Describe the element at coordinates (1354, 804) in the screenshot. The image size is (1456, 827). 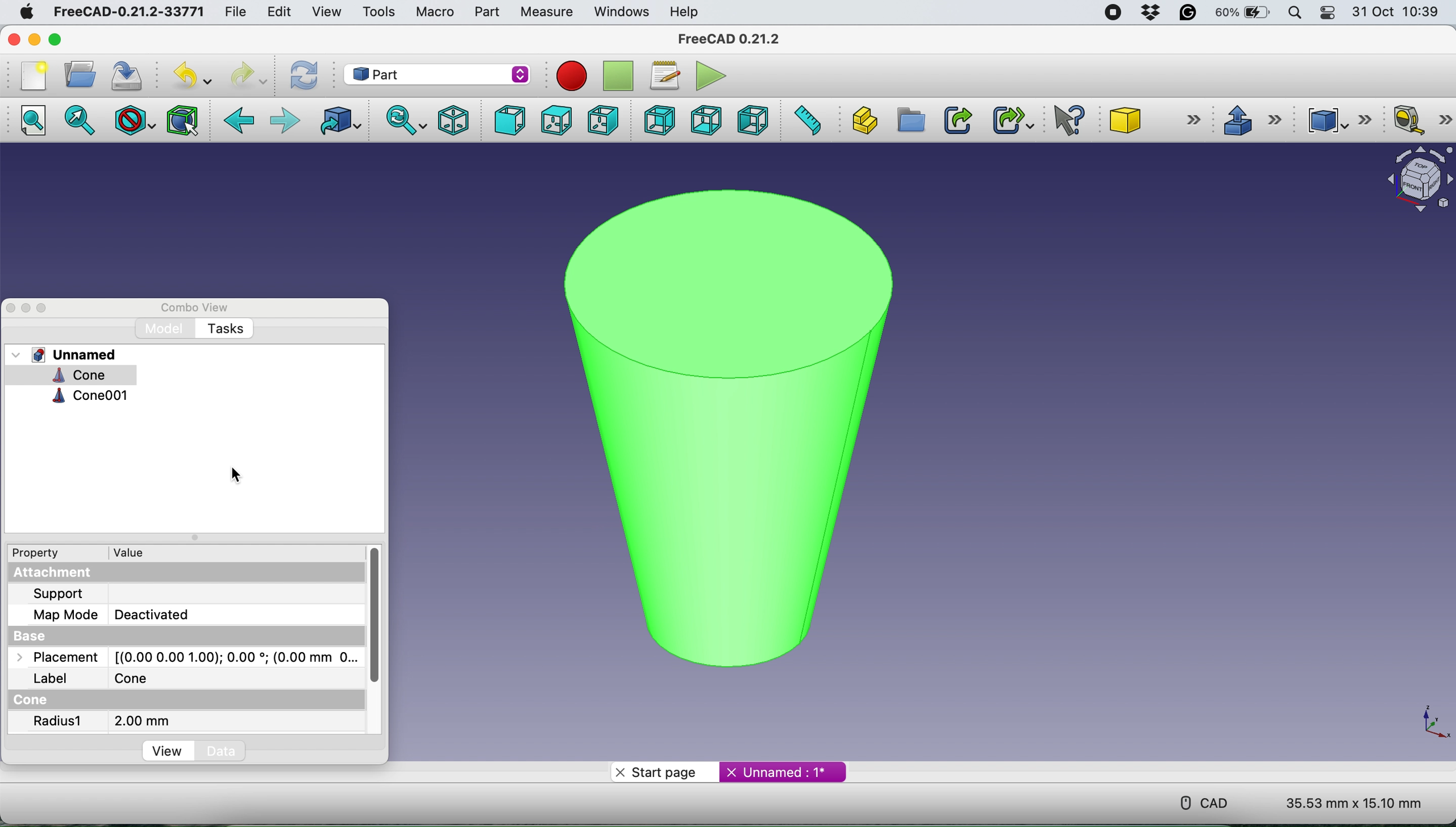
I see `35.53 mm x 15.10 mm` at that location.